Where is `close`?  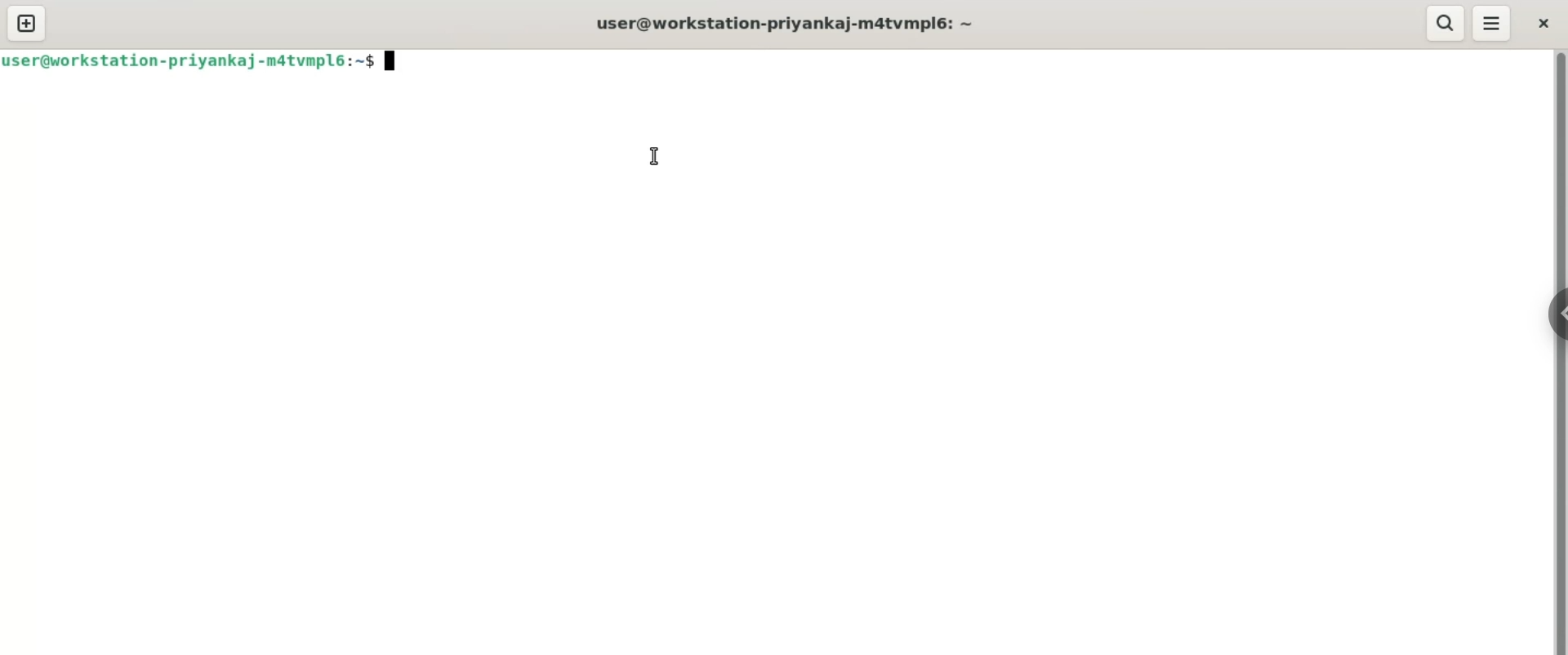
close is located at coordinates (1548, 23).